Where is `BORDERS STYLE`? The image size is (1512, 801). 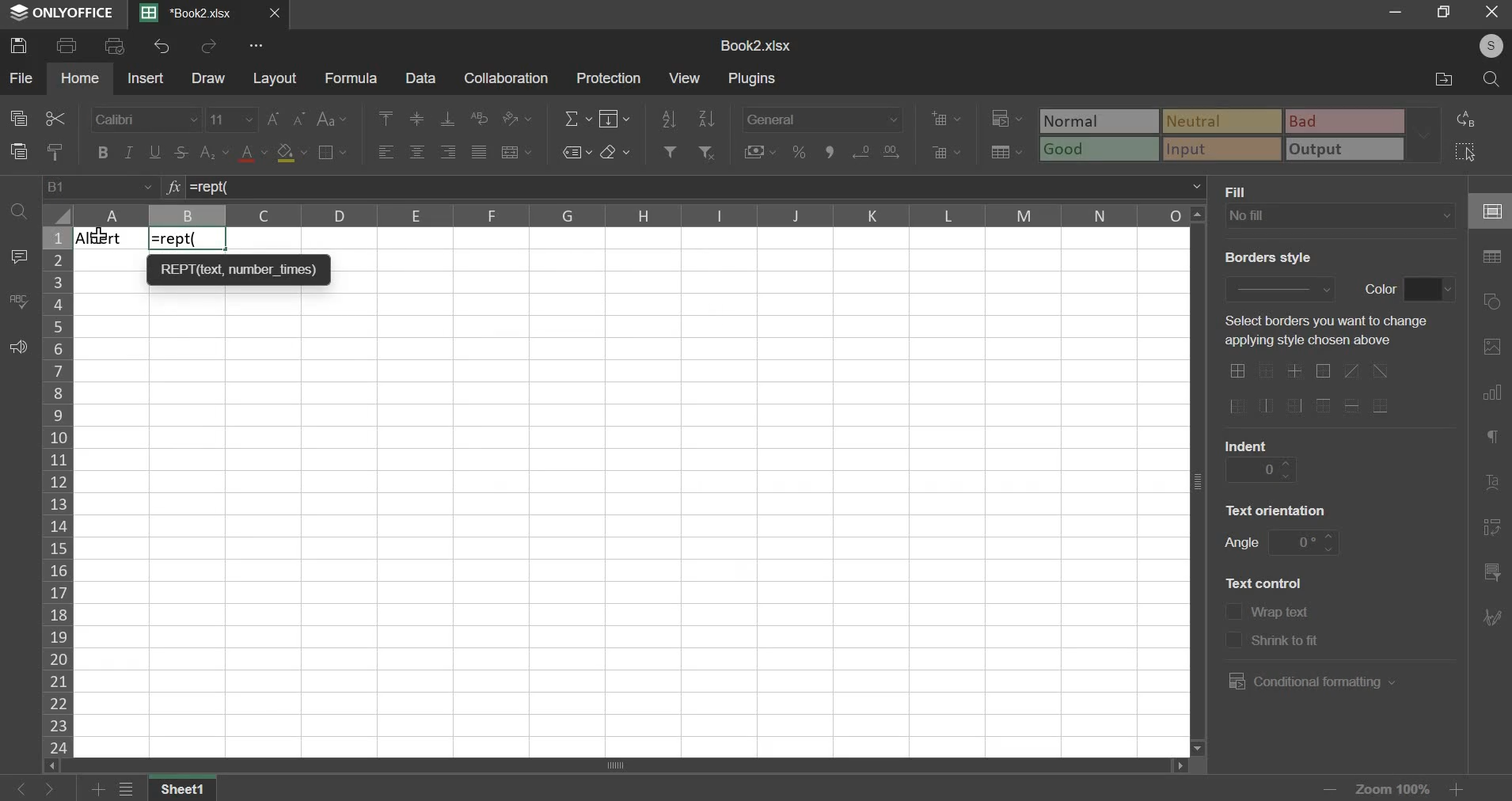 BORDERS STYLE is located at coordinates (1266, 256).